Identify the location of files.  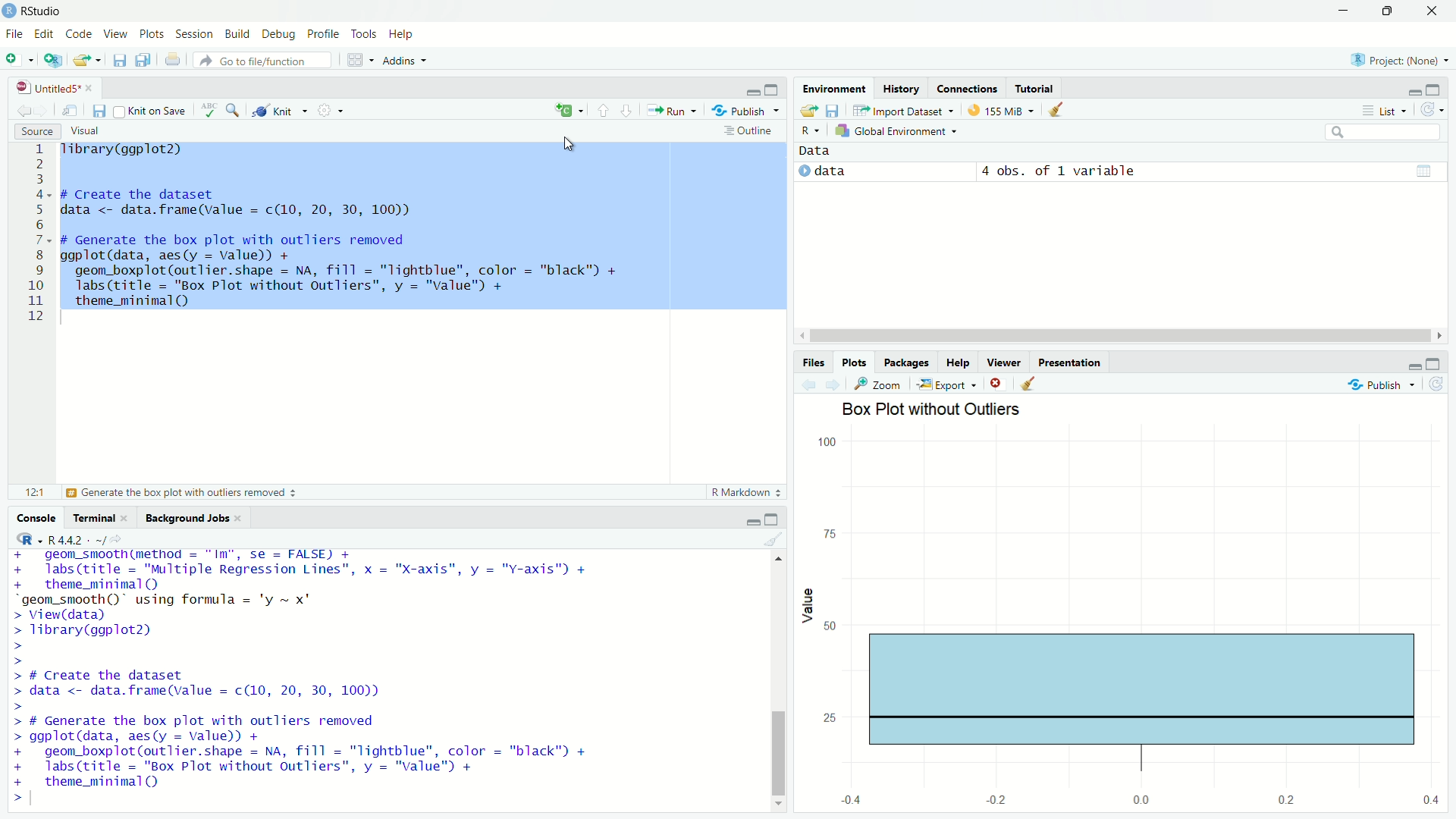
(96, 112).